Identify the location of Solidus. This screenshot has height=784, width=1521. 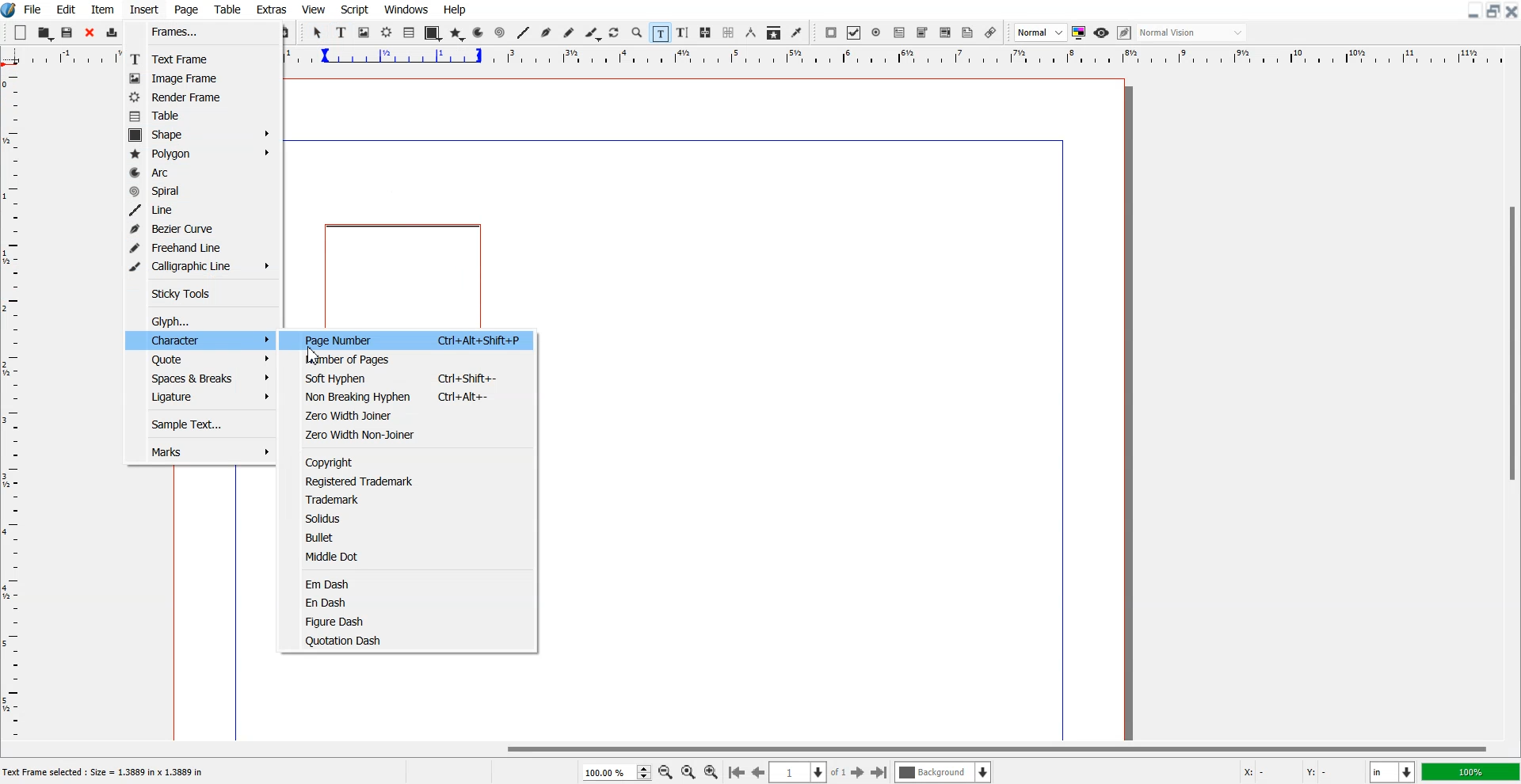
(414, 518).